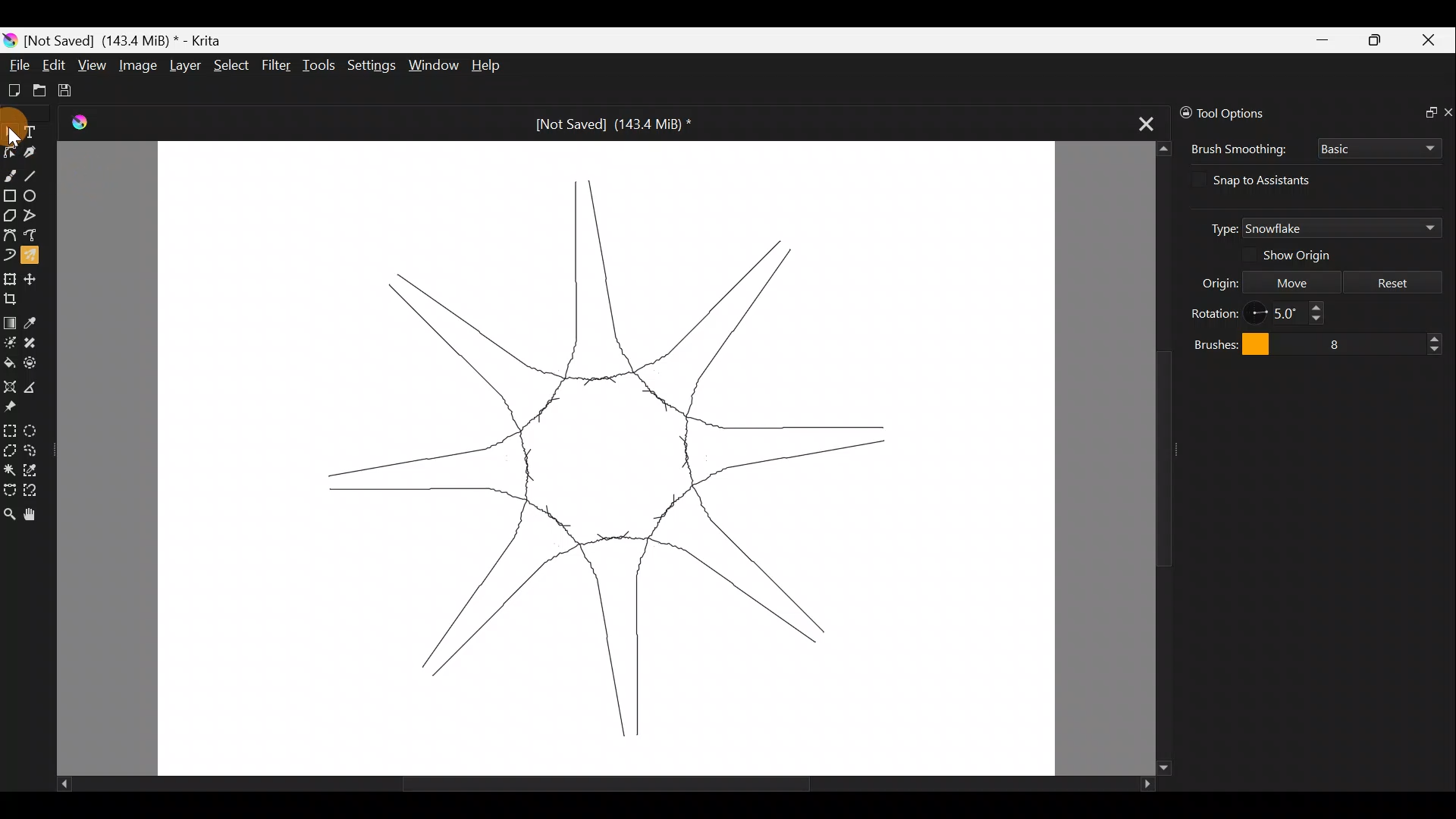 The height and width of the screenshot is (819, 1456). Describe the element at coordinates (33, 363) in the screenshot. I see `Enclose and fill tool` at that location.